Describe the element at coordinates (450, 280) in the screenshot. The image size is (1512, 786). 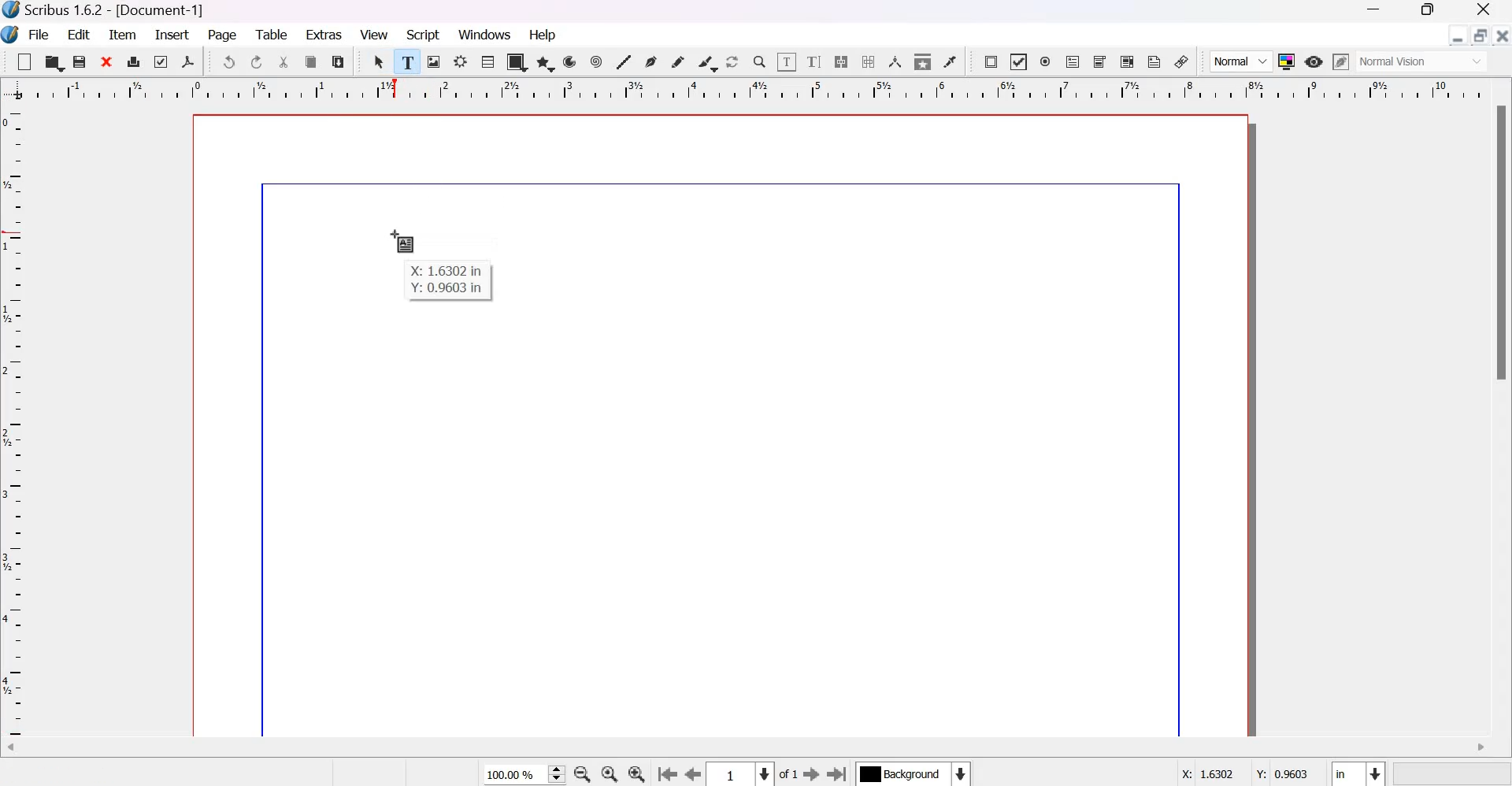
I see `X: 1.6302 in Y: 0.9603 in` at that location.